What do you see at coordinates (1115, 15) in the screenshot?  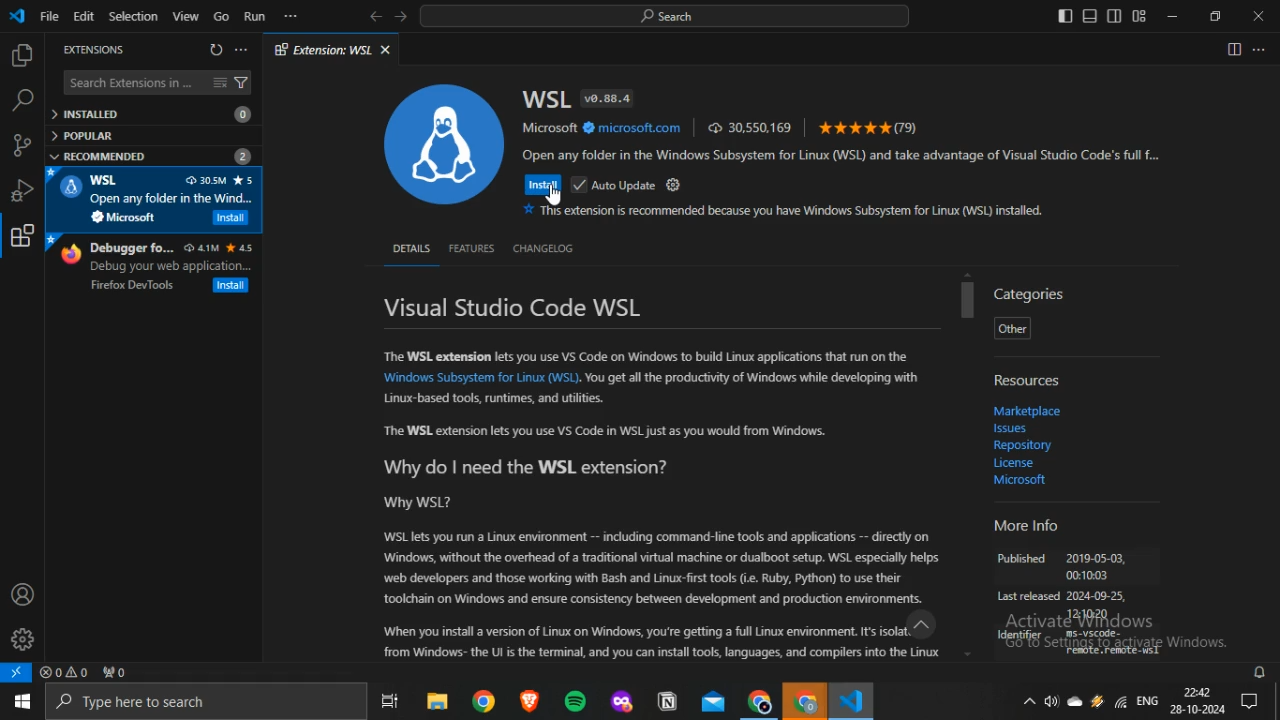 I see `toggle secondary sidebar` at bounding box center [1115, 15].